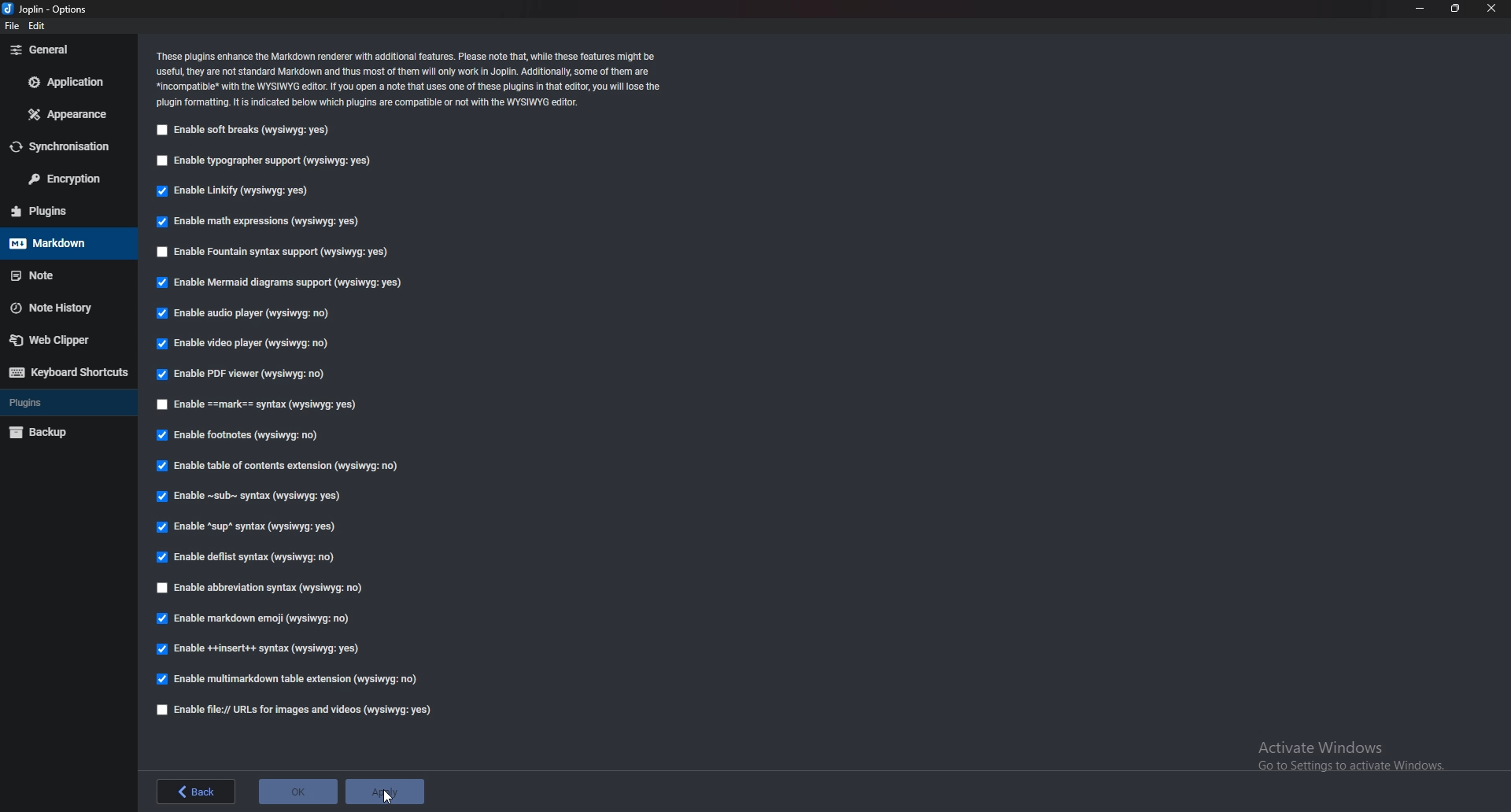 This screenshot has height=812, width=1511. Describe the element at coordinates (297, 790) in the screenshot. I see `ok` at that location.